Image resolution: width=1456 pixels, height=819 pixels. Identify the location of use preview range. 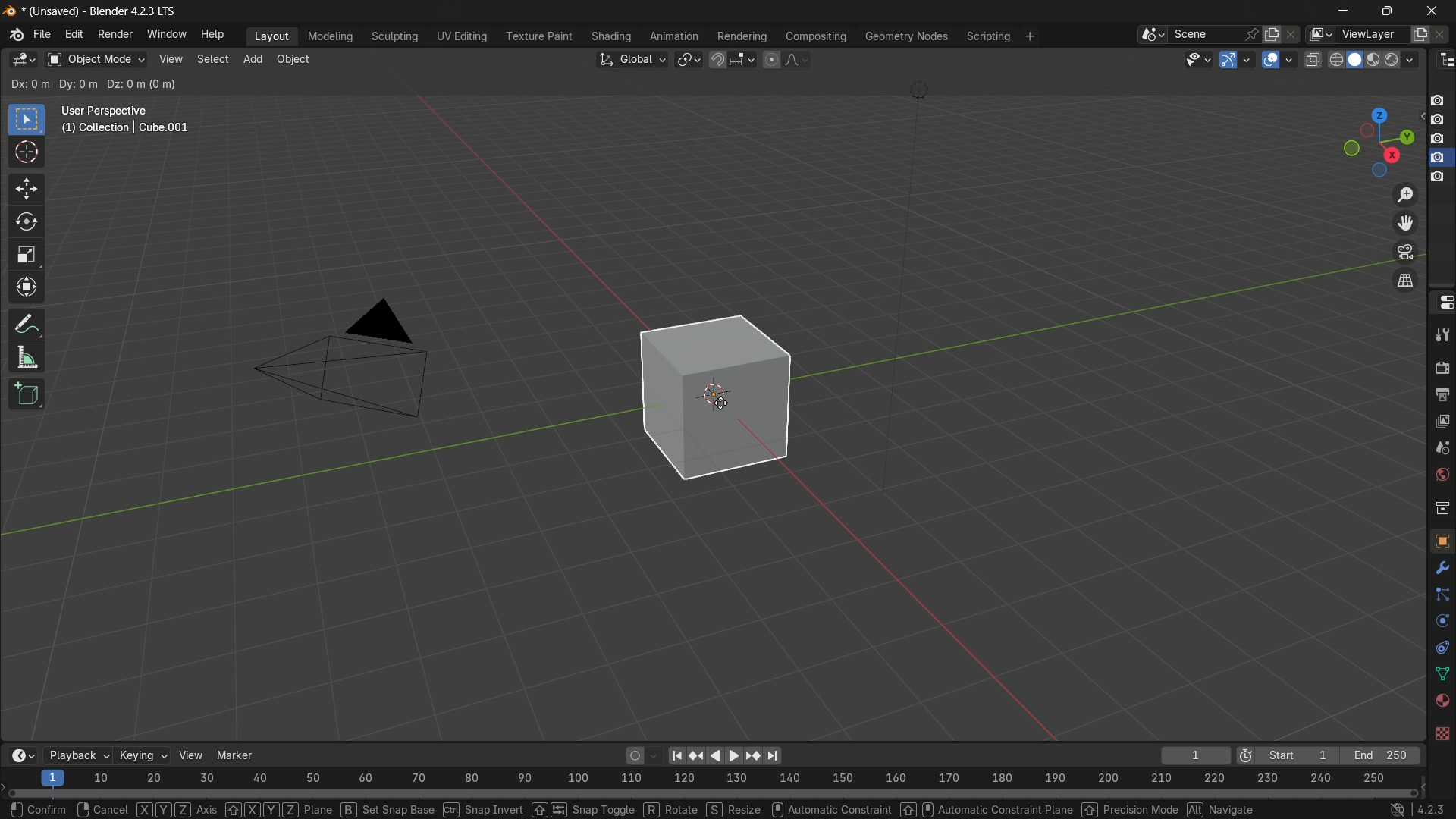
(1245, 757).